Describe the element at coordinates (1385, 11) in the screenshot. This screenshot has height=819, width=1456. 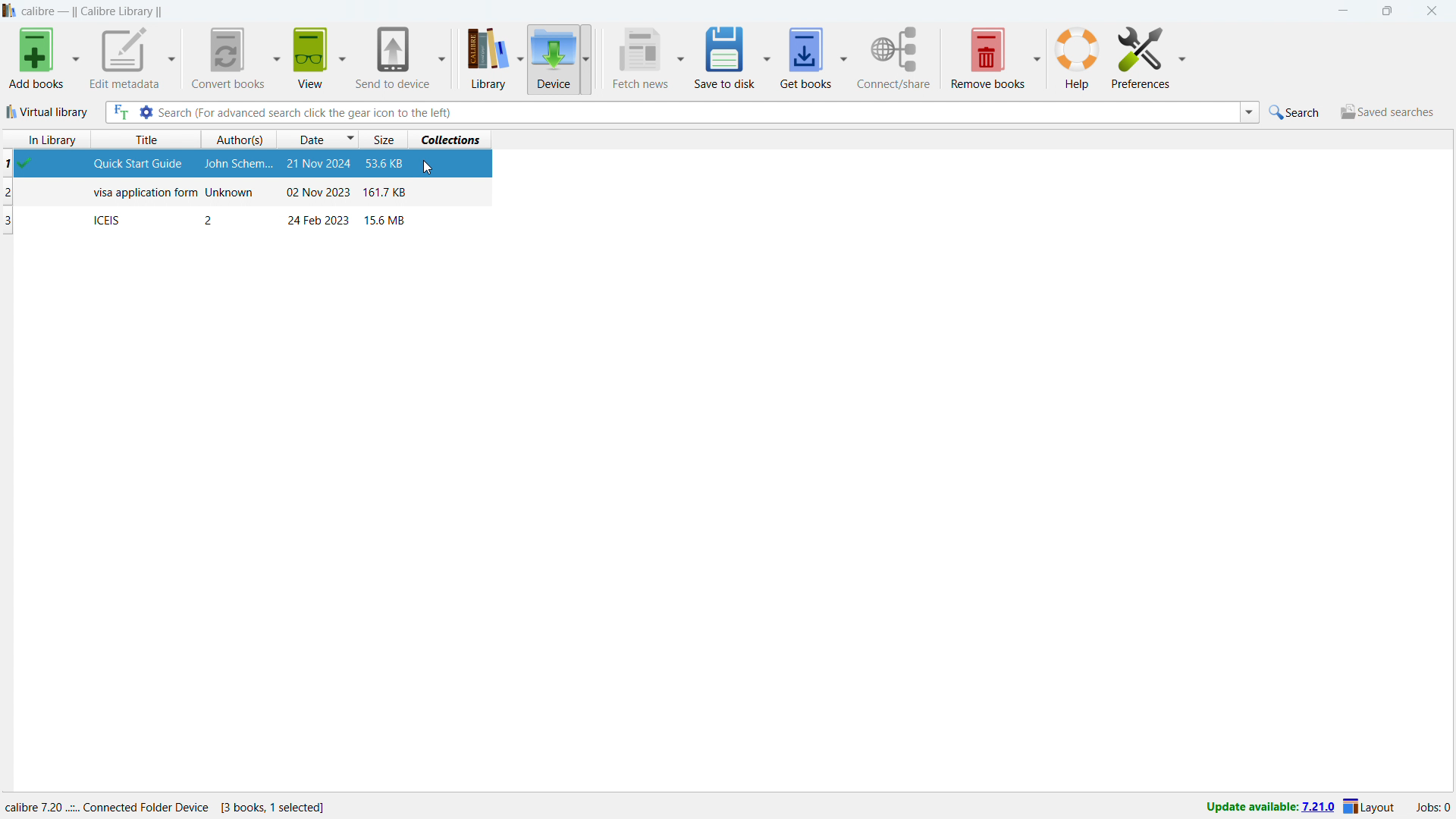
I see `maximize` at that location.